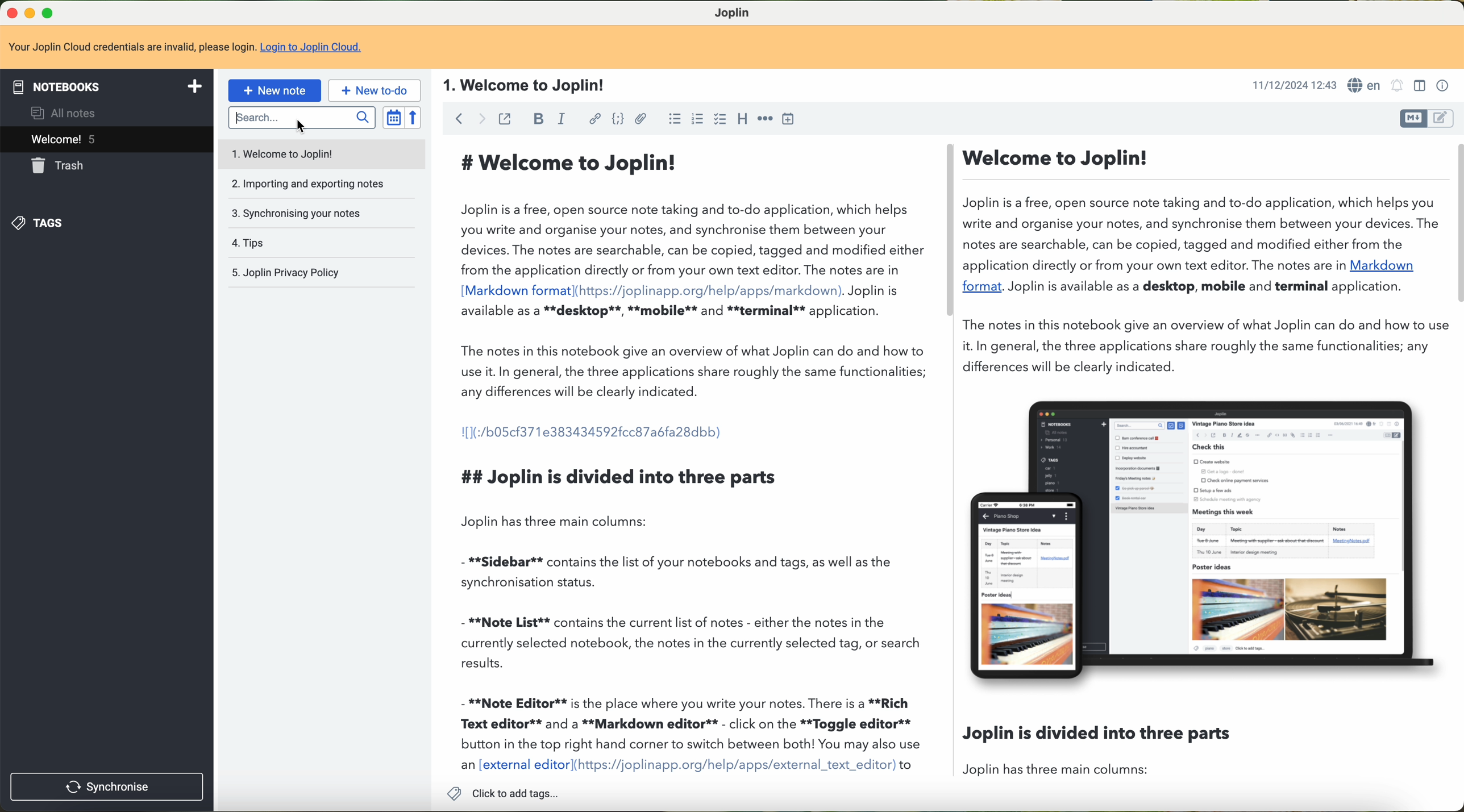 The image size is (1464, 812). Describe the element at coordinates (321, 272) in the screenshot. I see `Joplin privacy policy` at that location.